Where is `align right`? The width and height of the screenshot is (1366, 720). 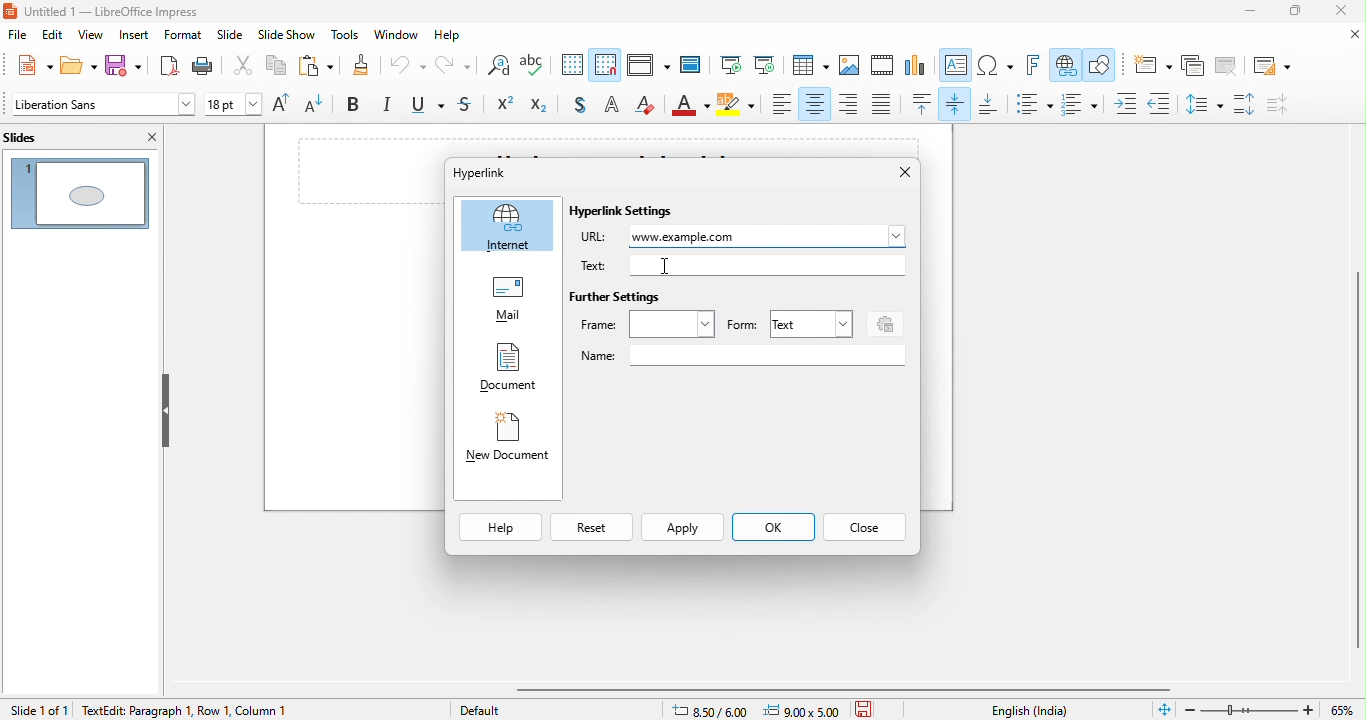 align right is located at coordinates (849, 103).